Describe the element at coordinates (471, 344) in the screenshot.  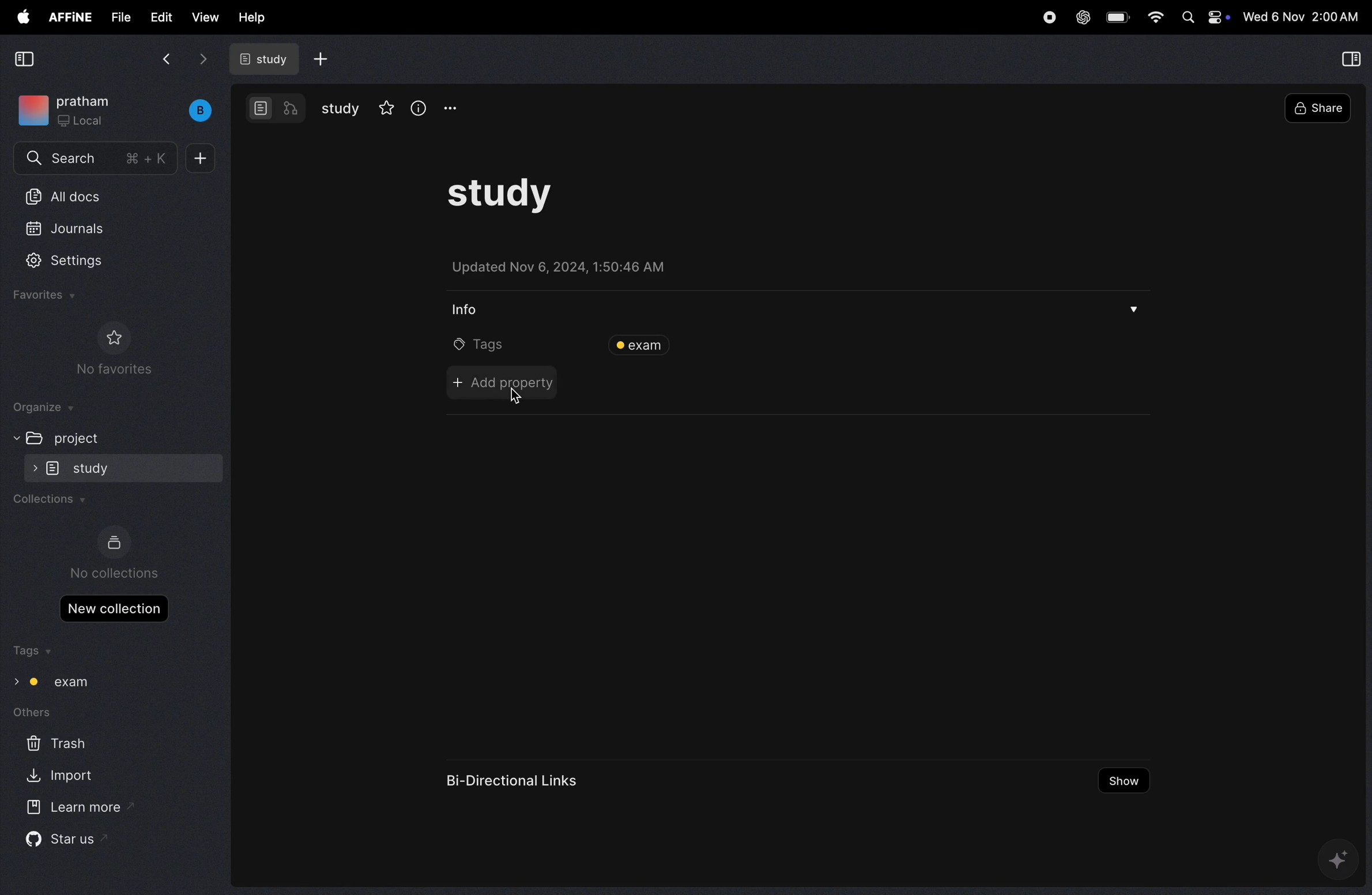
I see `tags` at that location.